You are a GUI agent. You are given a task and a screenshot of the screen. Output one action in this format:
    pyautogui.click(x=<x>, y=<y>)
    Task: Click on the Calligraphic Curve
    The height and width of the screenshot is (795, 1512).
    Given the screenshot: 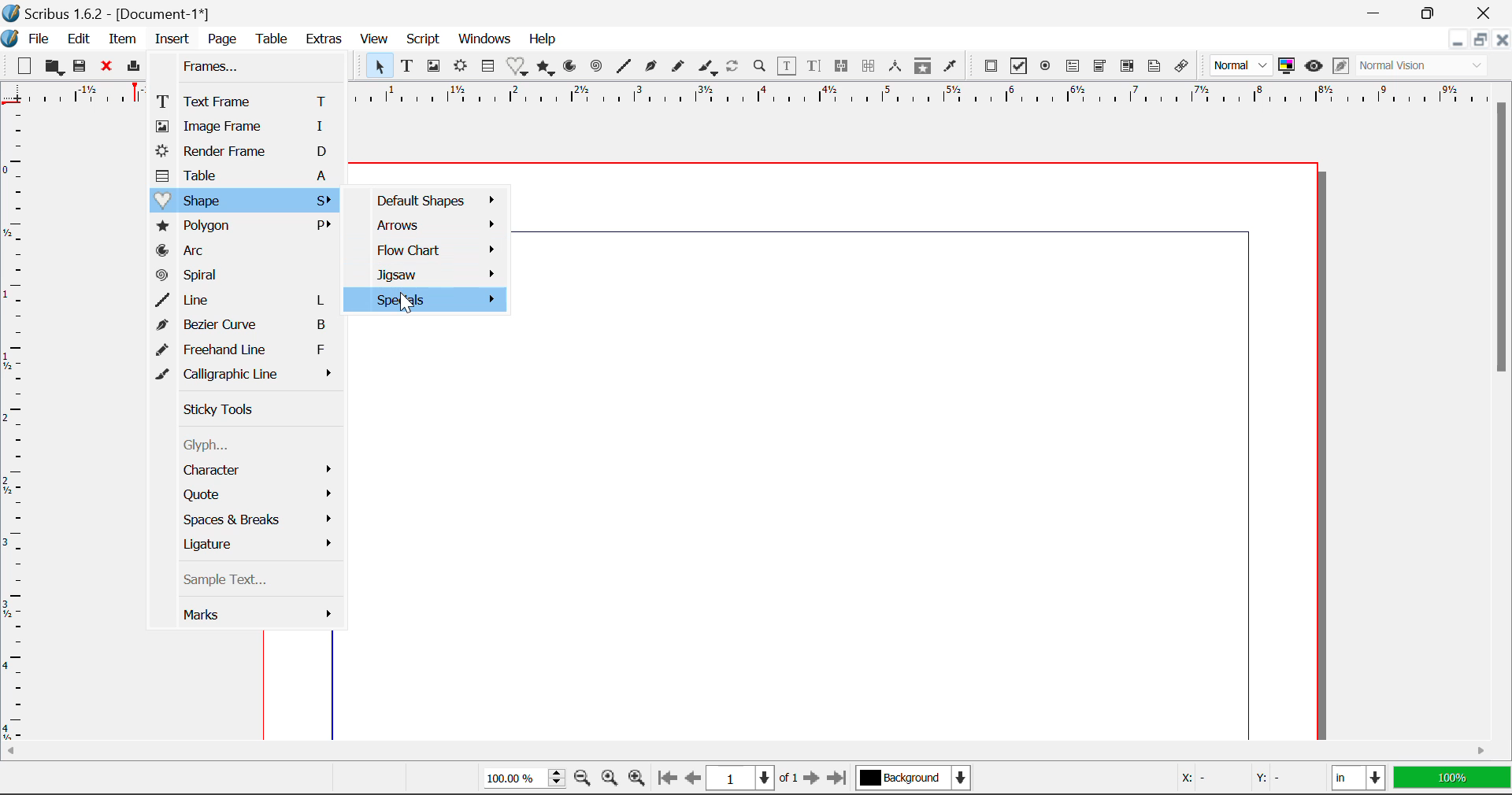 What is the action you would take?
    pyautogui.click(x=708, y=69)
    